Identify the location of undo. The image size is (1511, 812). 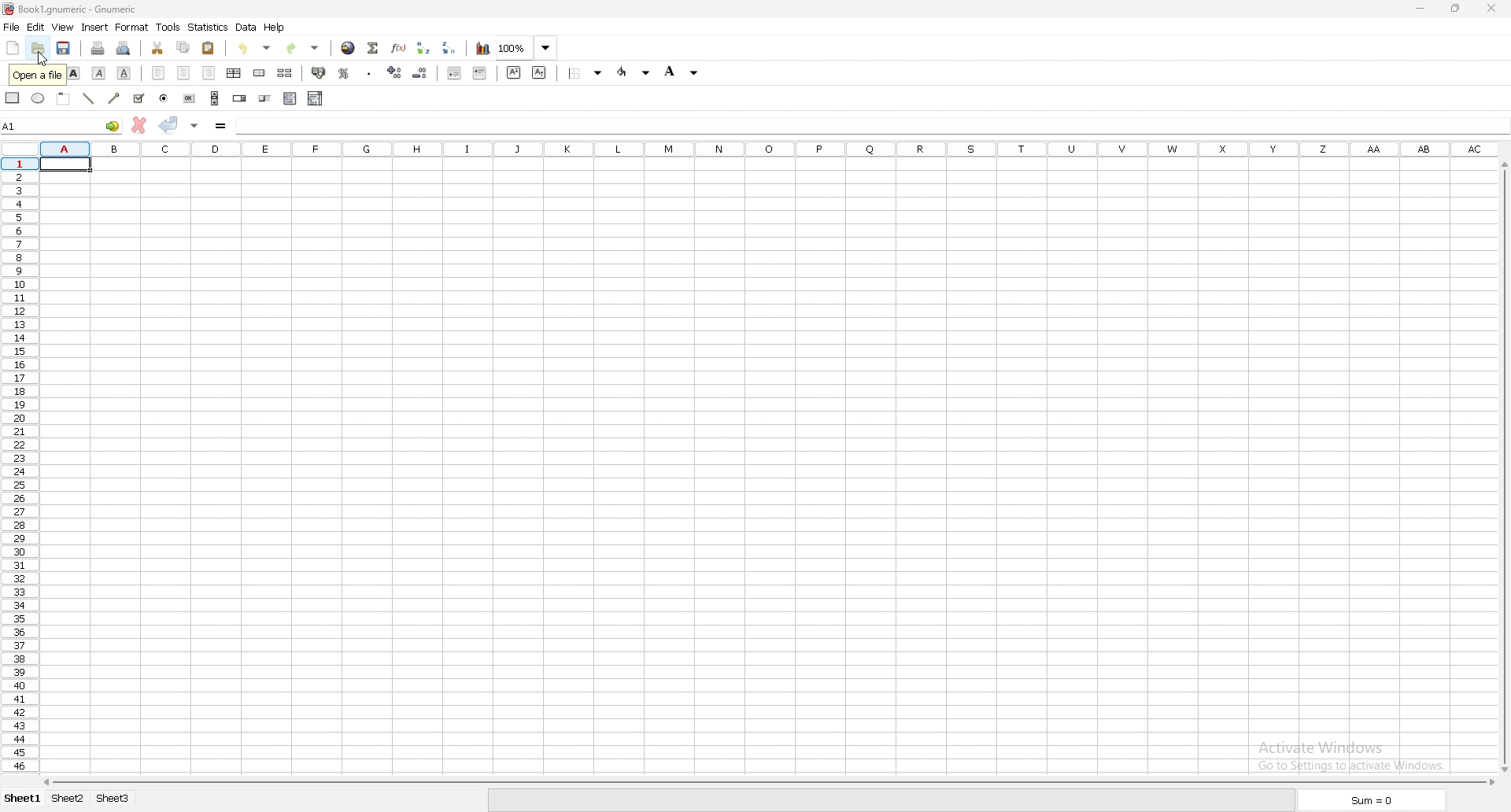
(257, 49).